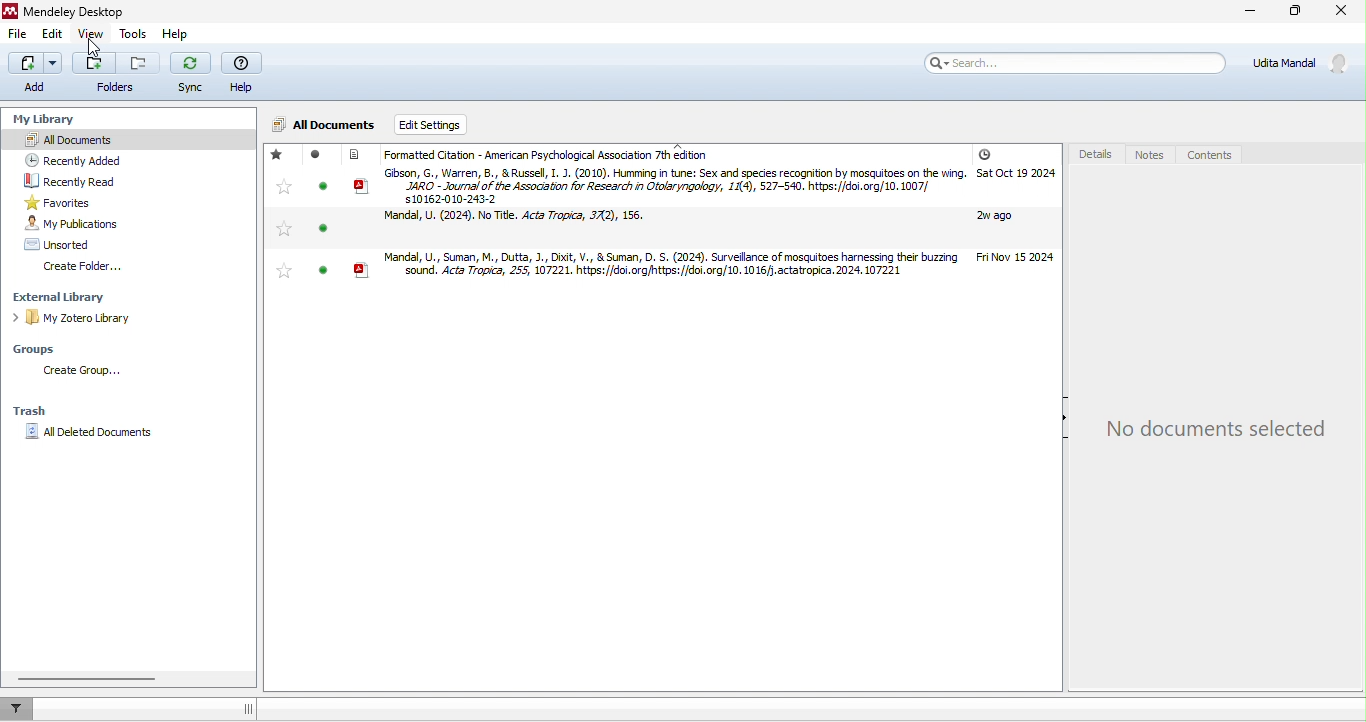 The image size is (1366, 722). What do you see at coordinates (174, 36) in the screenshot?
I see `help` at bounding box center [174, 36].